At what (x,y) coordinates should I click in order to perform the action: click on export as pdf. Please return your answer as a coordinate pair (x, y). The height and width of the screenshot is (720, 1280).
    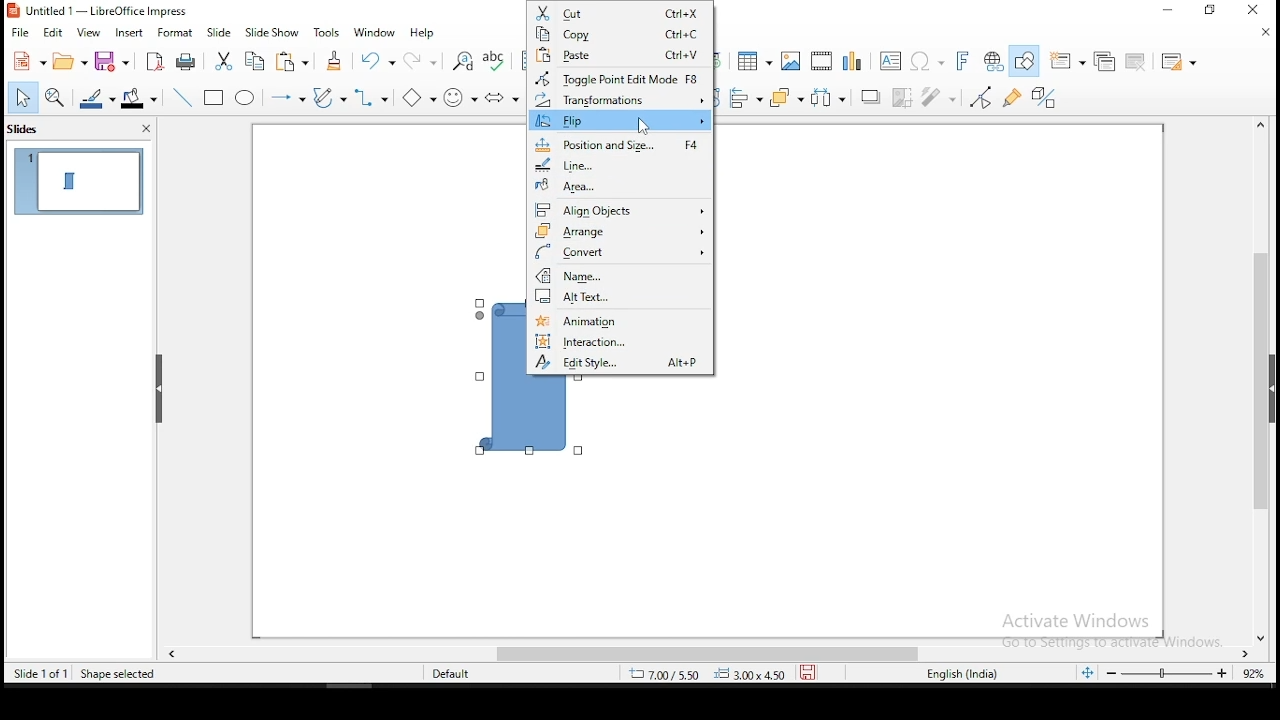
    Looking at the image, I should click on (154, 61).